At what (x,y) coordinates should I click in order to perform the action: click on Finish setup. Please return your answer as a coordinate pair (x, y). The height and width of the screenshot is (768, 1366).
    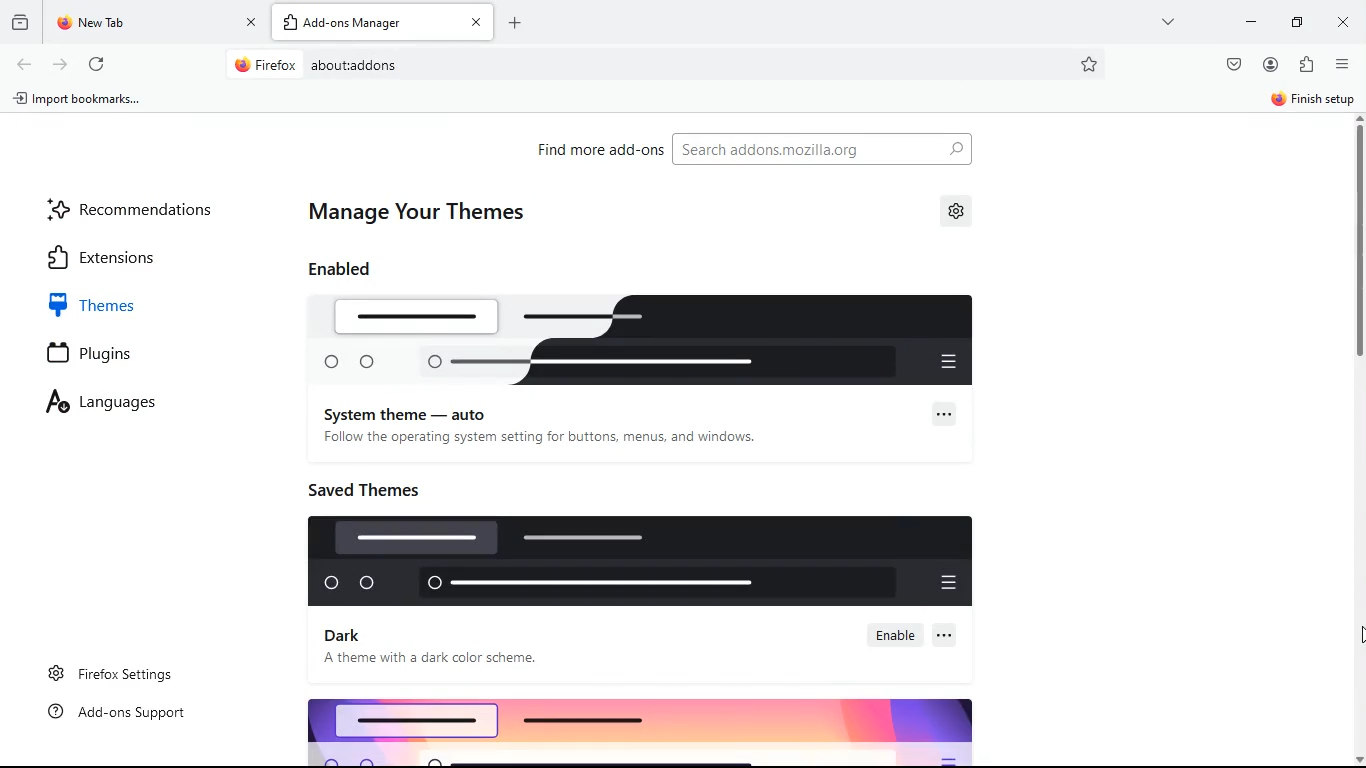
    Looking at the image, I should click on (1312, 100).